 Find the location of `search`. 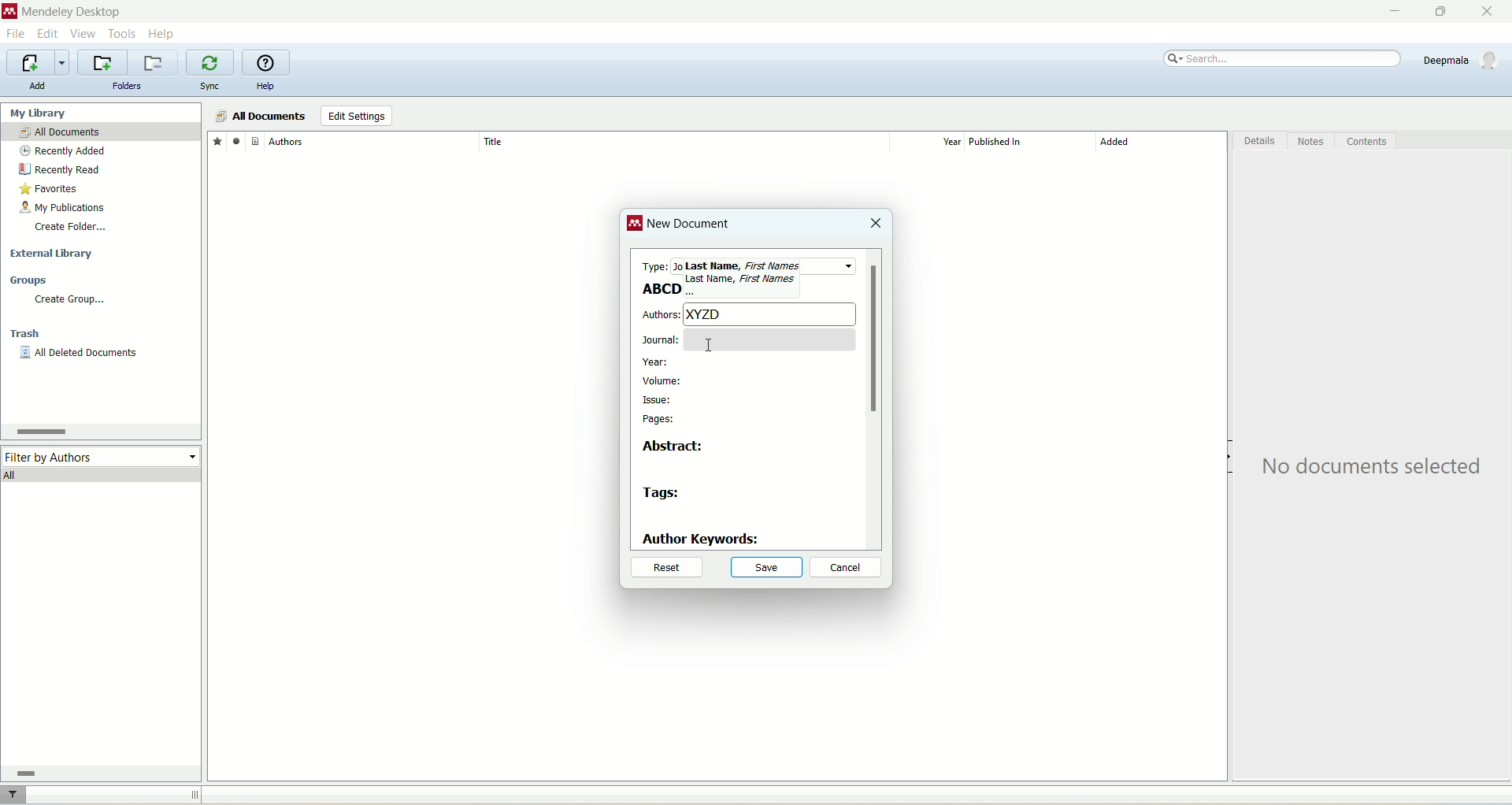

search is located at coordinates (1284, 59).